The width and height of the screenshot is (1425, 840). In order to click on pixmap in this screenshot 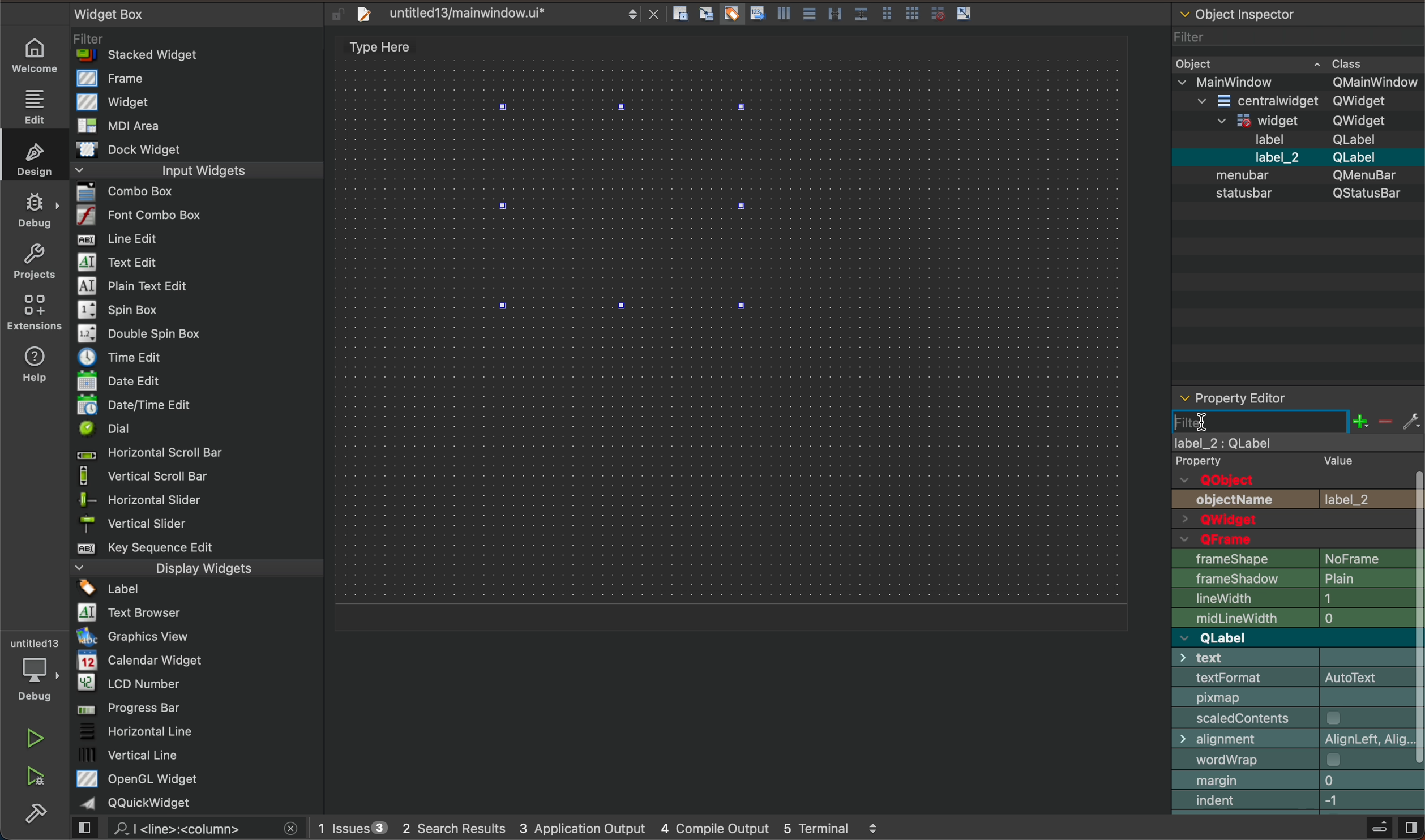, I will do `click(1299, 698)`.